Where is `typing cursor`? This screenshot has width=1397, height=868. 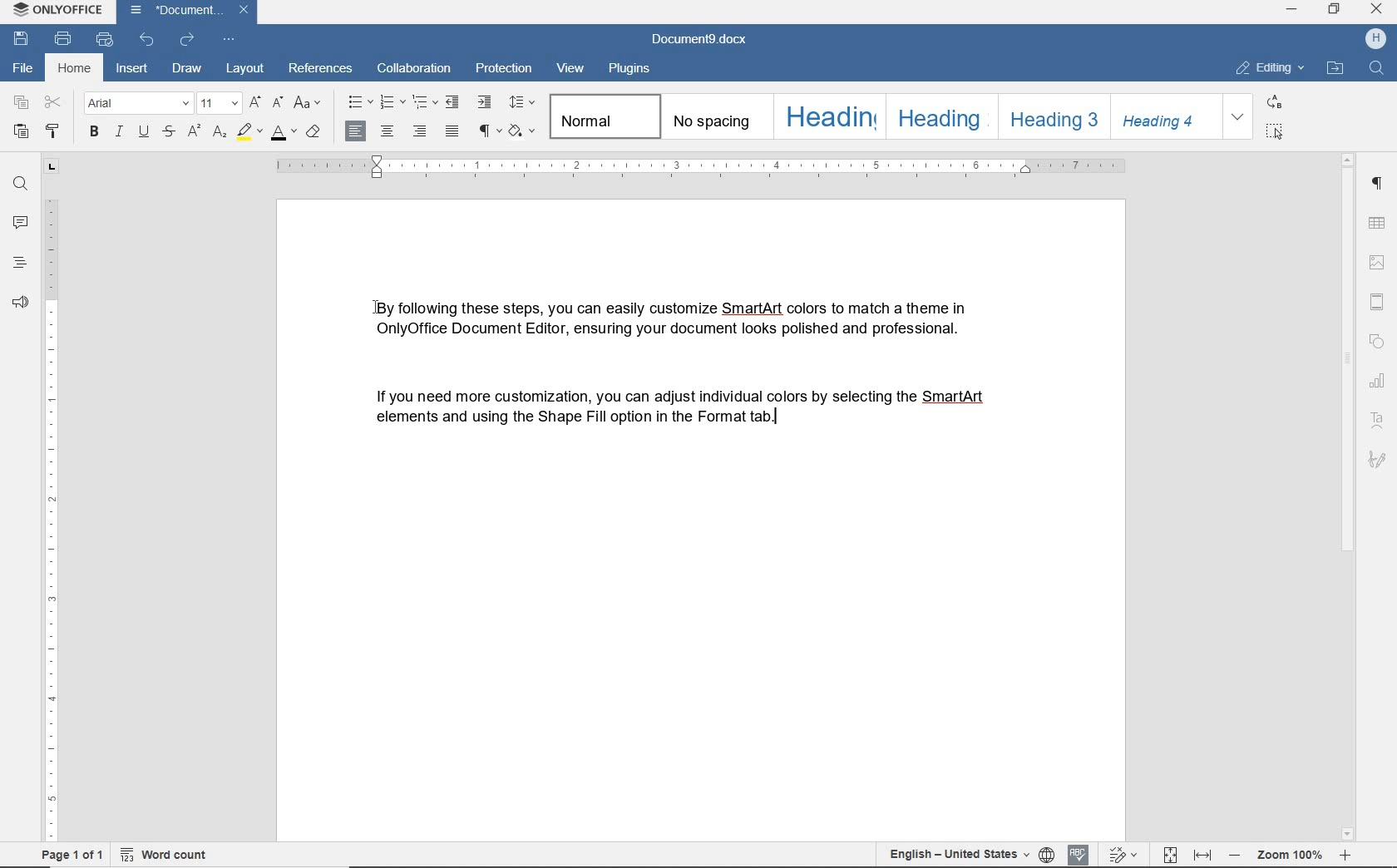 typing cursor is located at coordinates (788, 433).